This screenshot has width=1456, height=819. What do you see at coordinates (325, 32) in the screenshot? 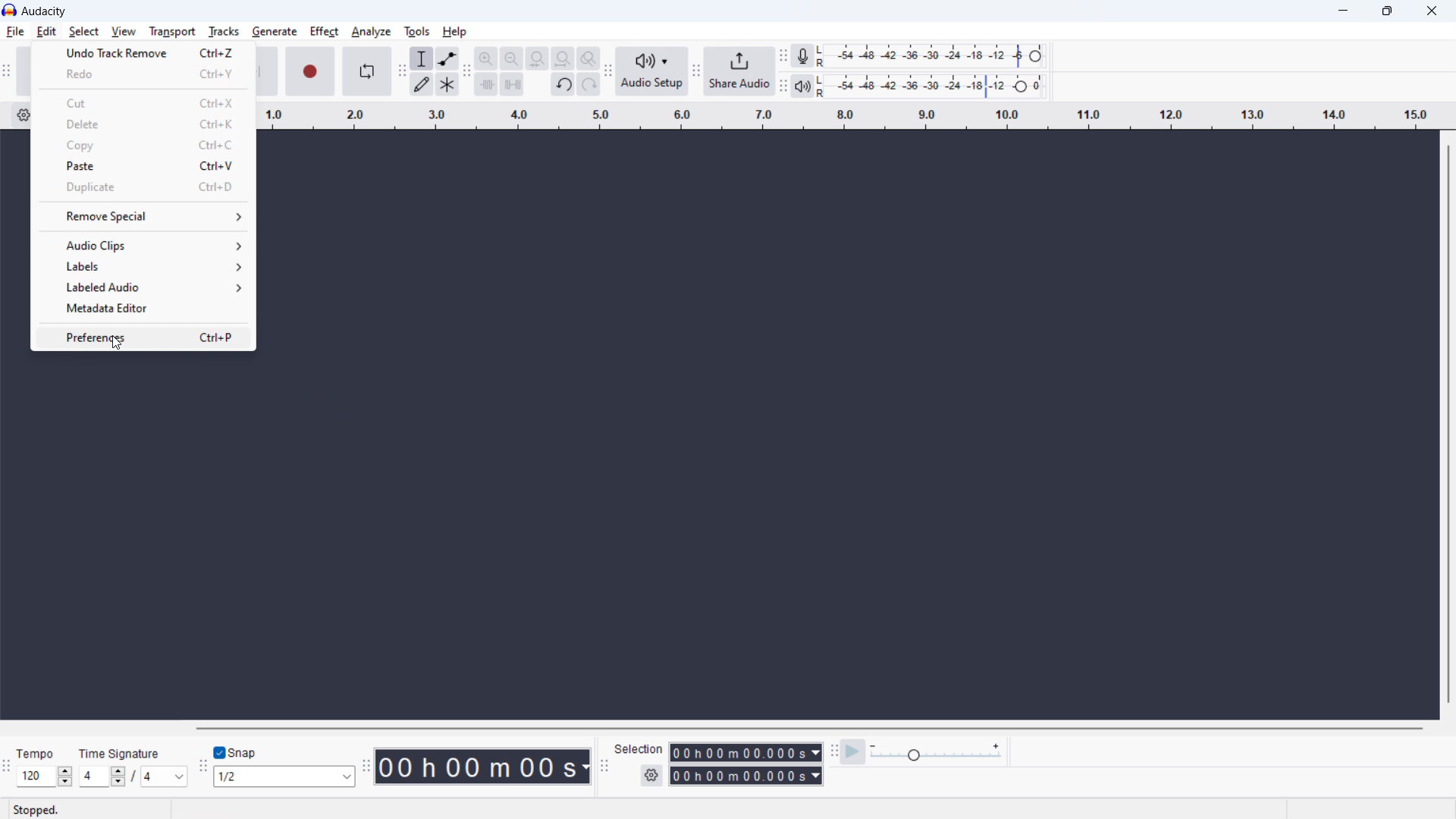
I see `effect` at bounding box center [325, 32].